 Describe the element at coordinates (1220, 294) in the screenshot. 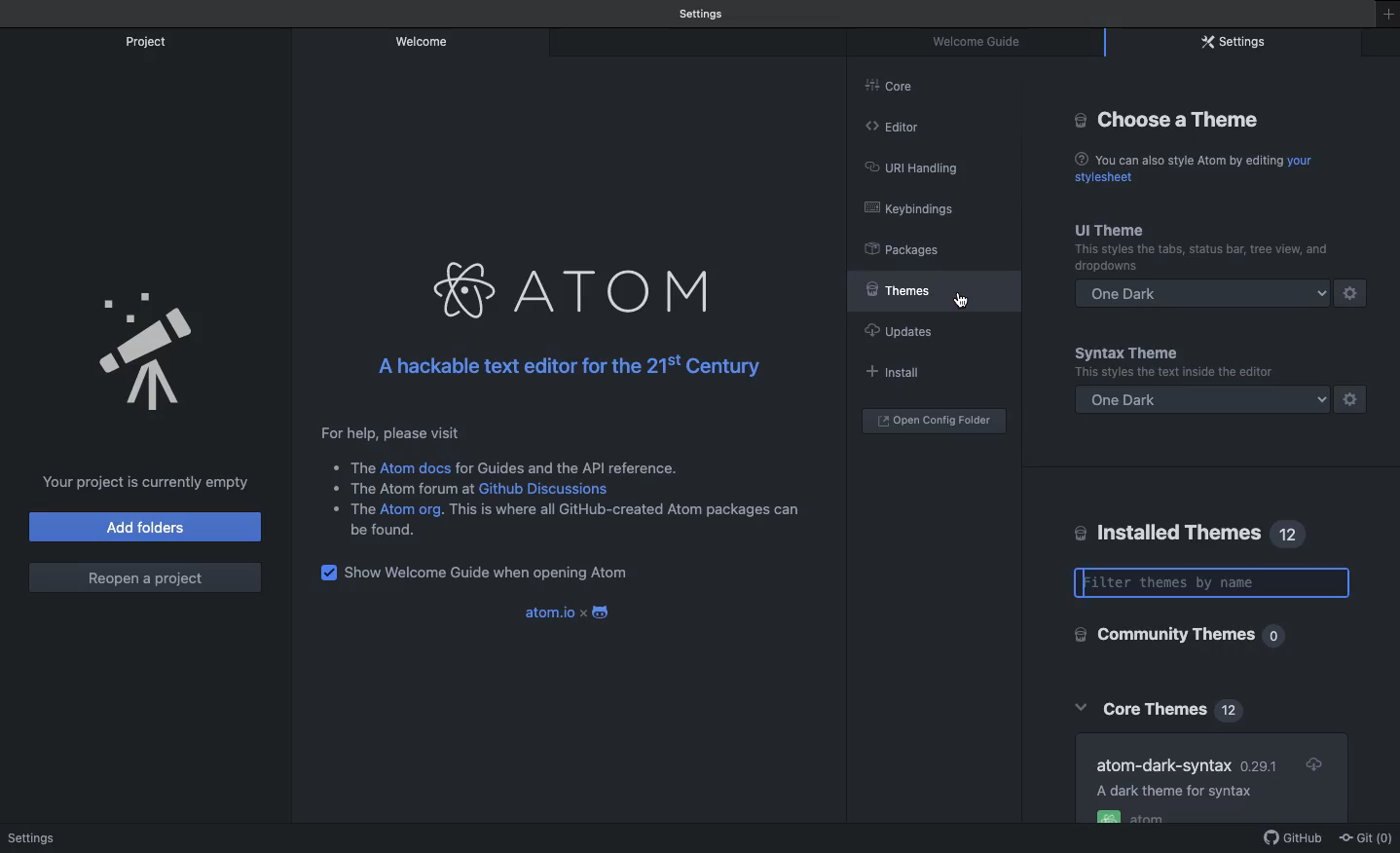

I see `One dark` at that location.